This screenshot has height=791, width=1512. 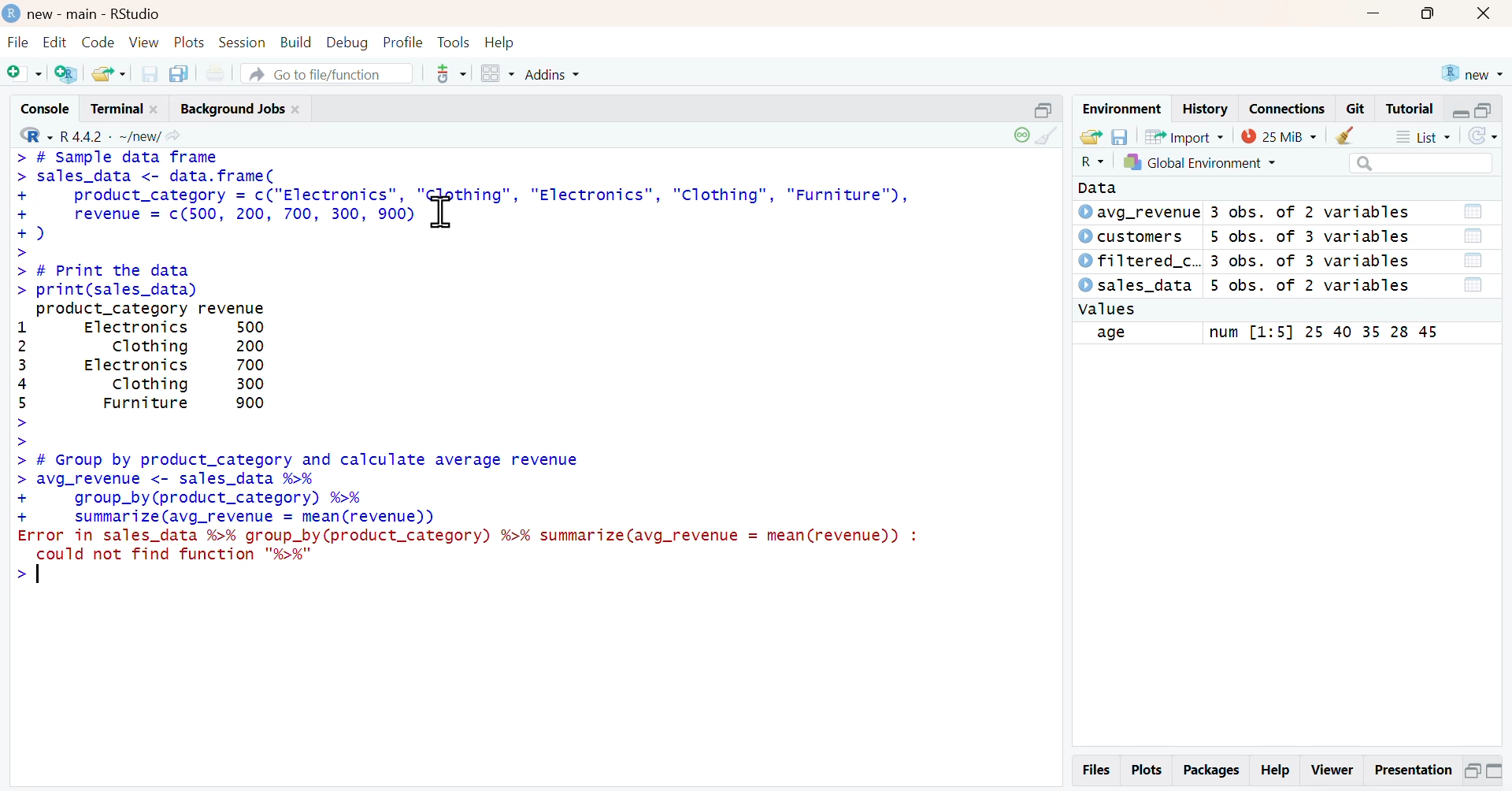 I want to click on values, so click(x=1108, y=310).